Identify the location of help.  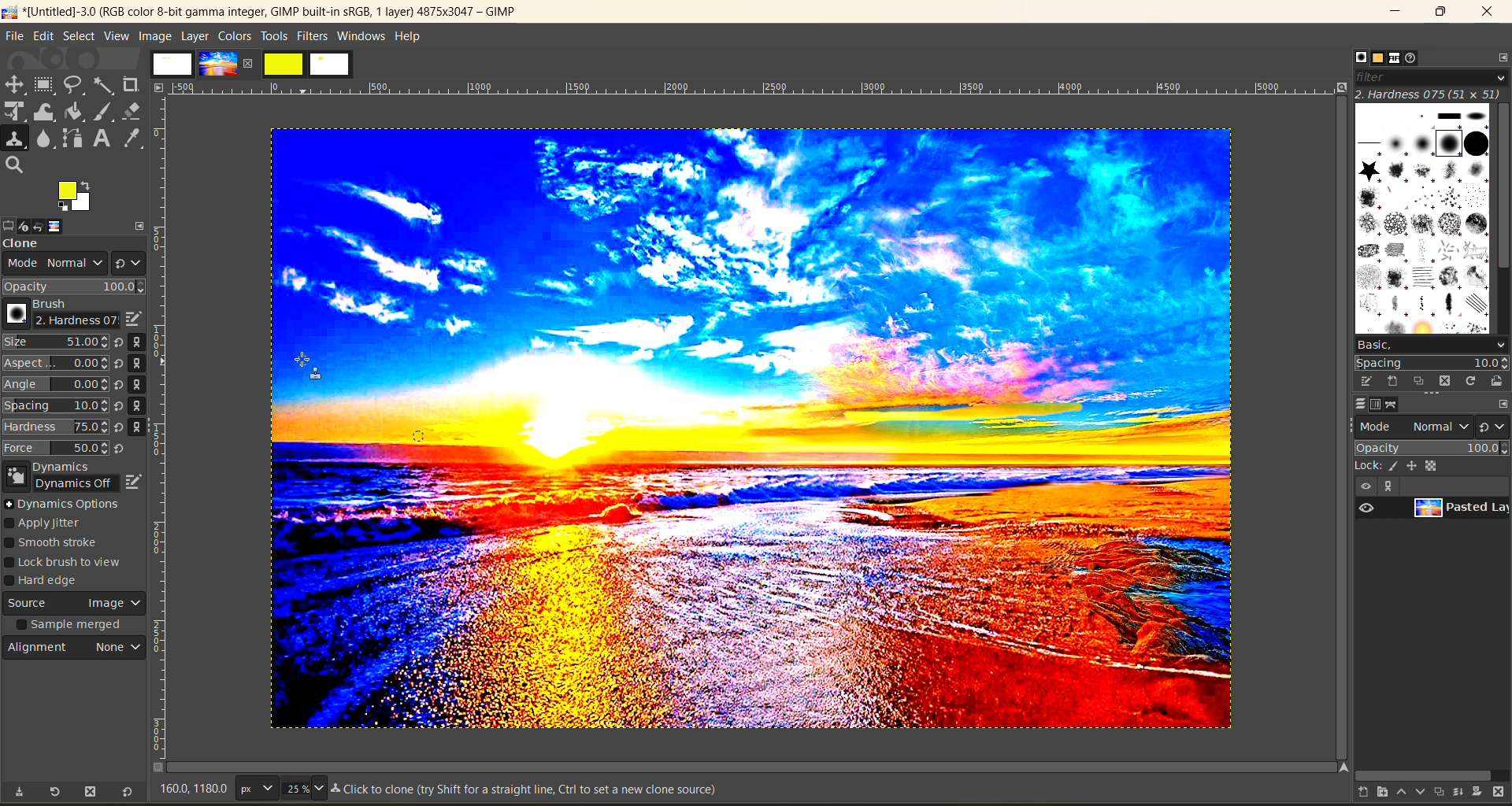
(412, 35).